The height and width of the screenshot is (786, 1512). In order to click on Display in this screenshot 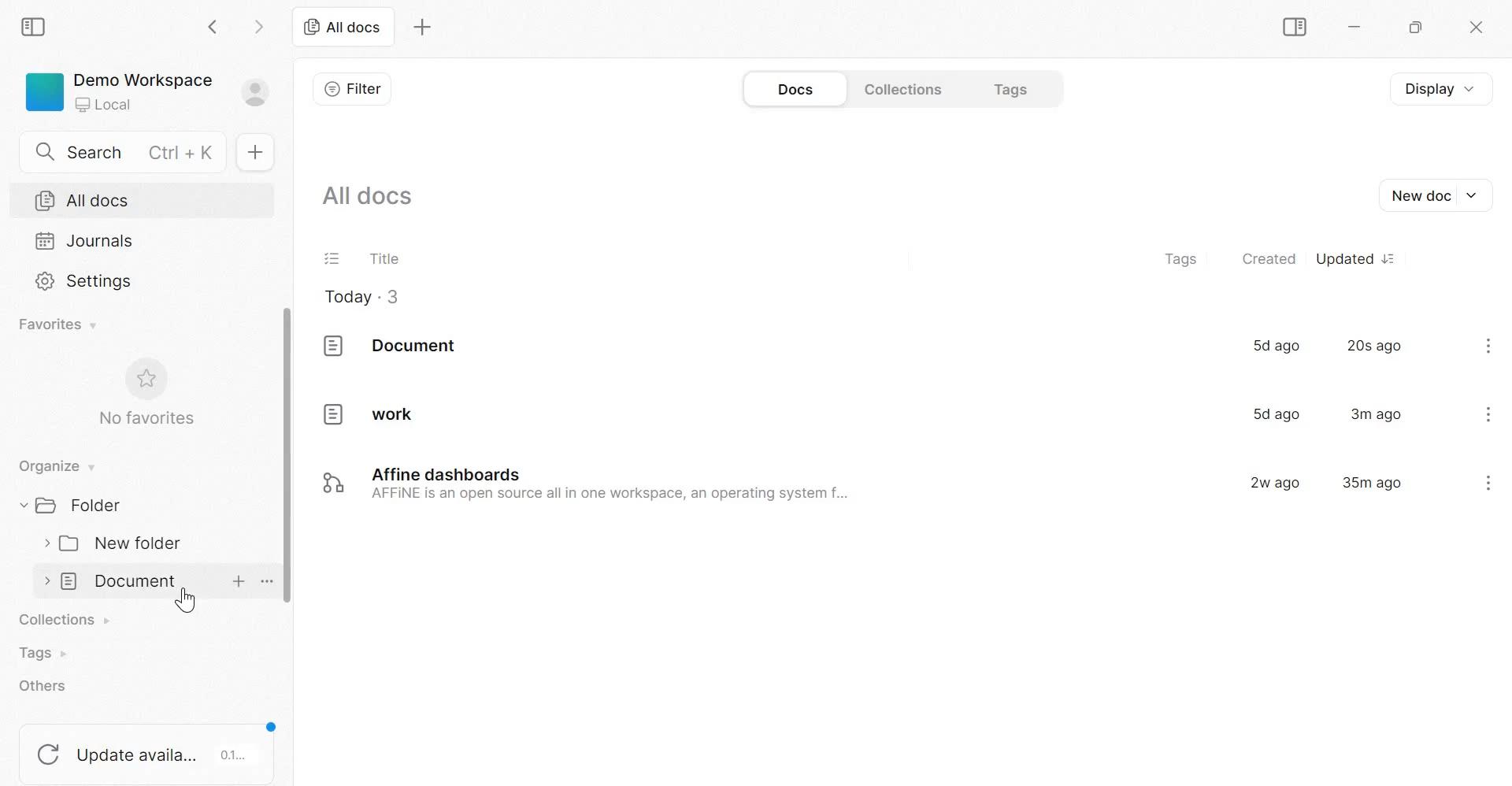, I will do `click(1432, 87)`.